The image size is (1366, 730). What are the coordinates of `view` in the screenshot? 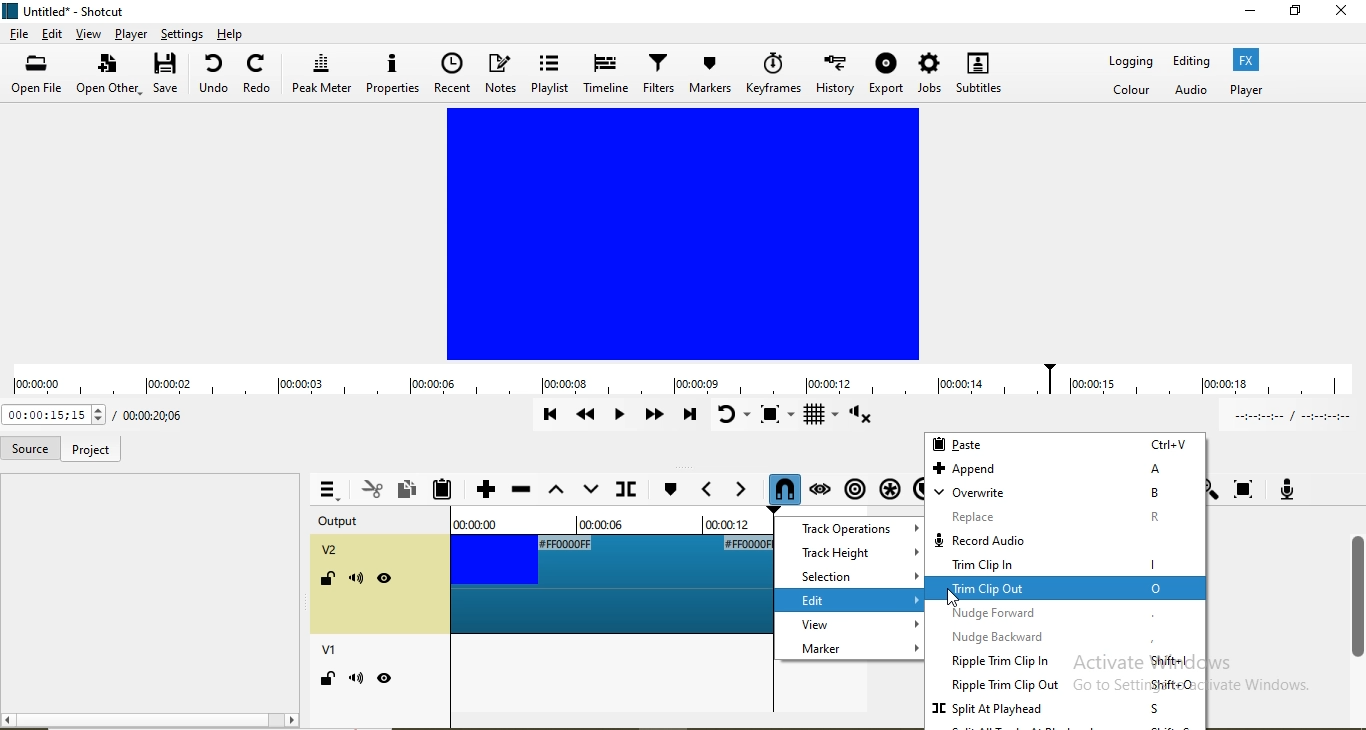 It's located at (849, 627).